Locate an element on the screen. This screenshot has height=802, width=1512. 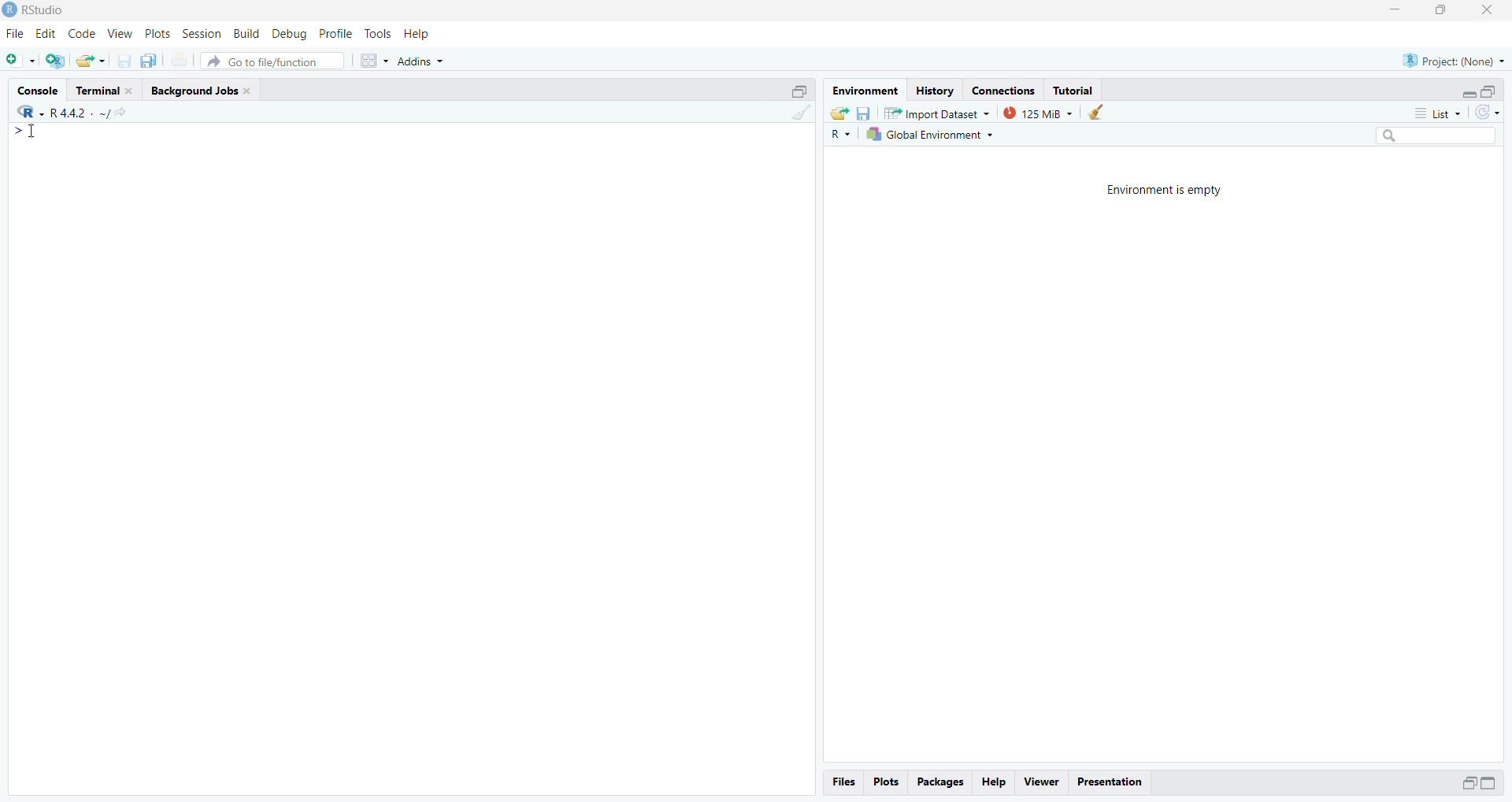
Go to file/function is located at coordinates (271, 61).